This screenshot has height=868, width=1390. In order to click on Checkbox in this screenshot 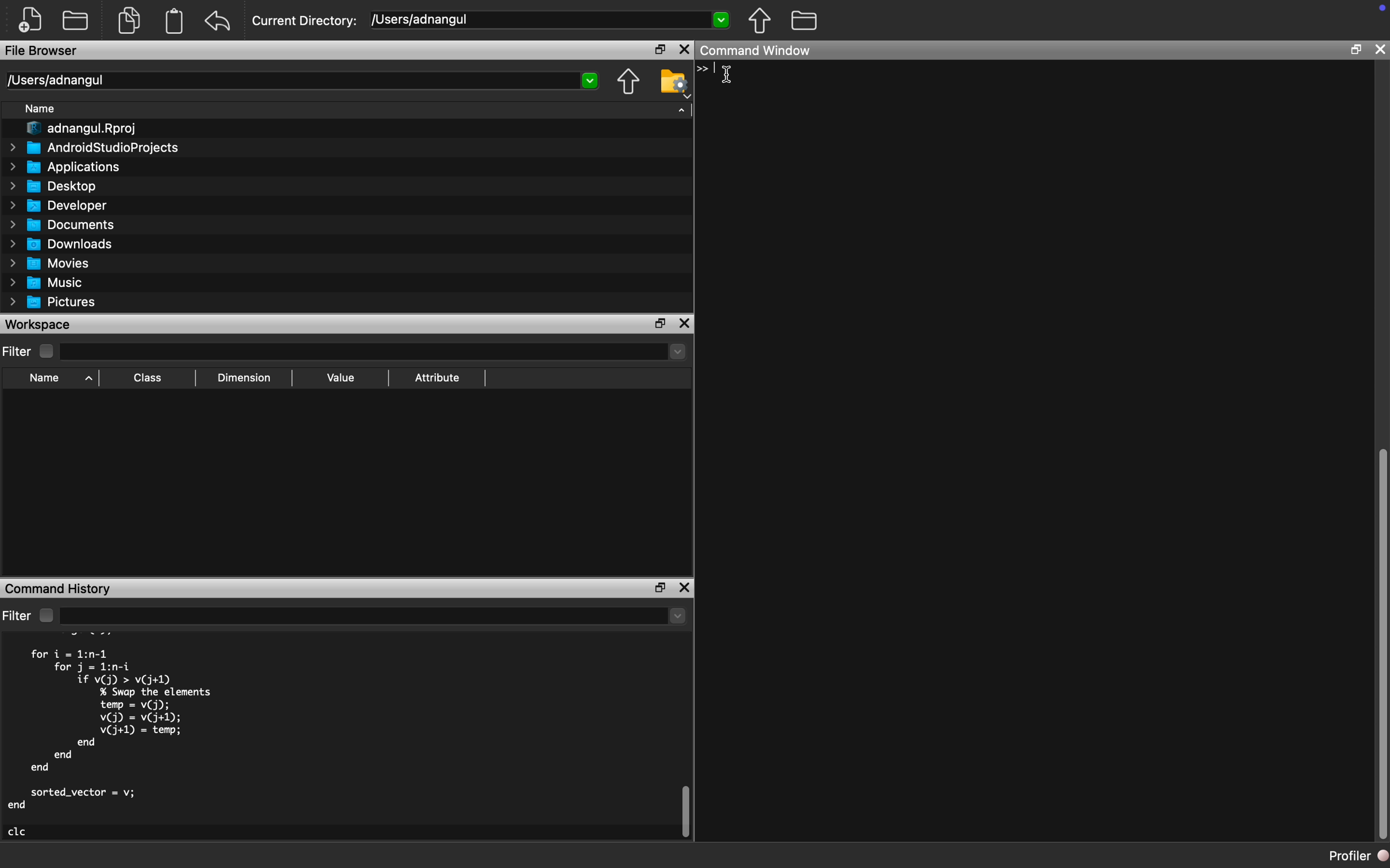, I will do `click(48, 352)`.